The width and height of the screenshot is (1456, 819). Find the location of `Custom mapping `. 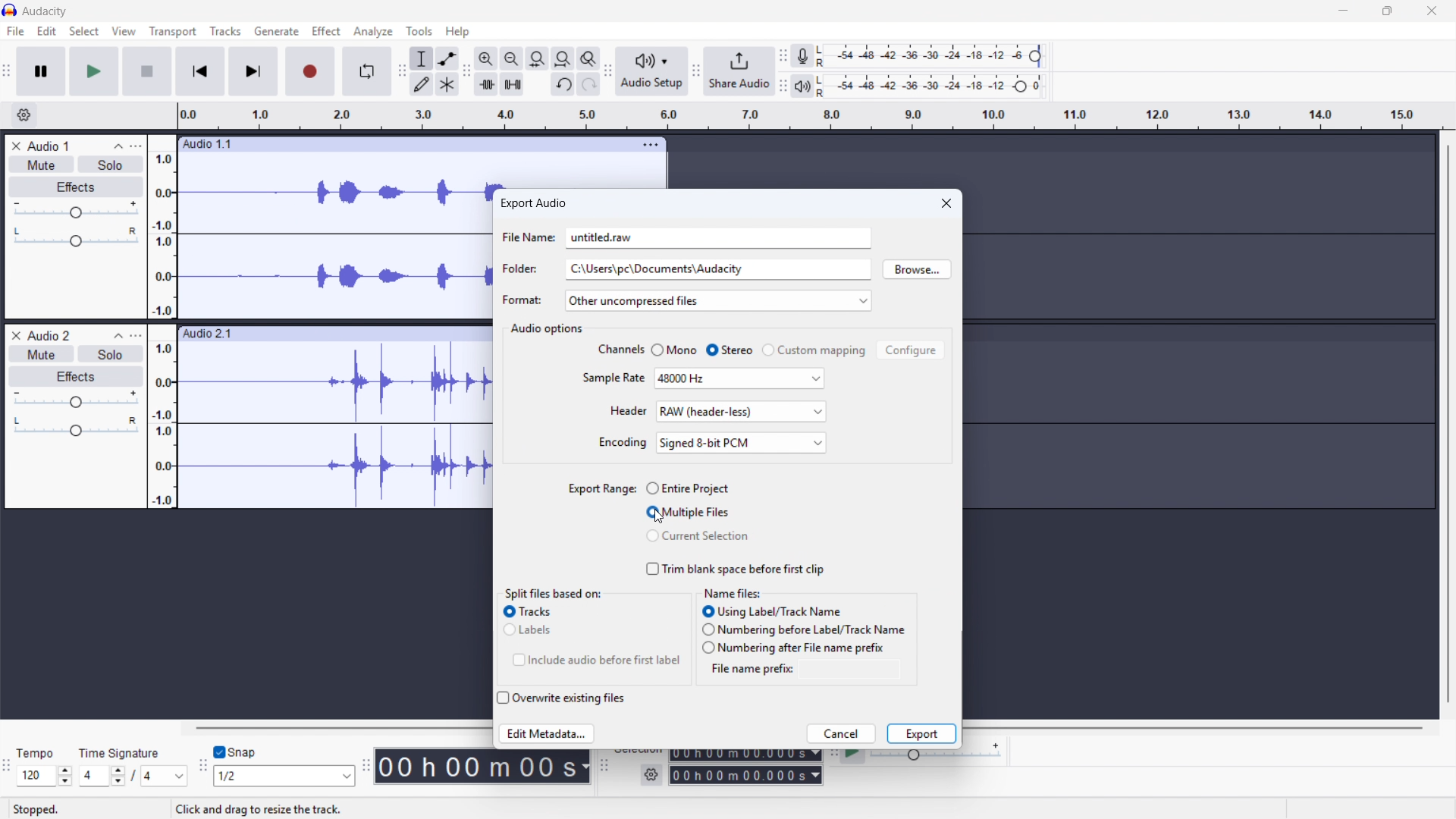

Custom mapping  is located at coordinates (814, 350).